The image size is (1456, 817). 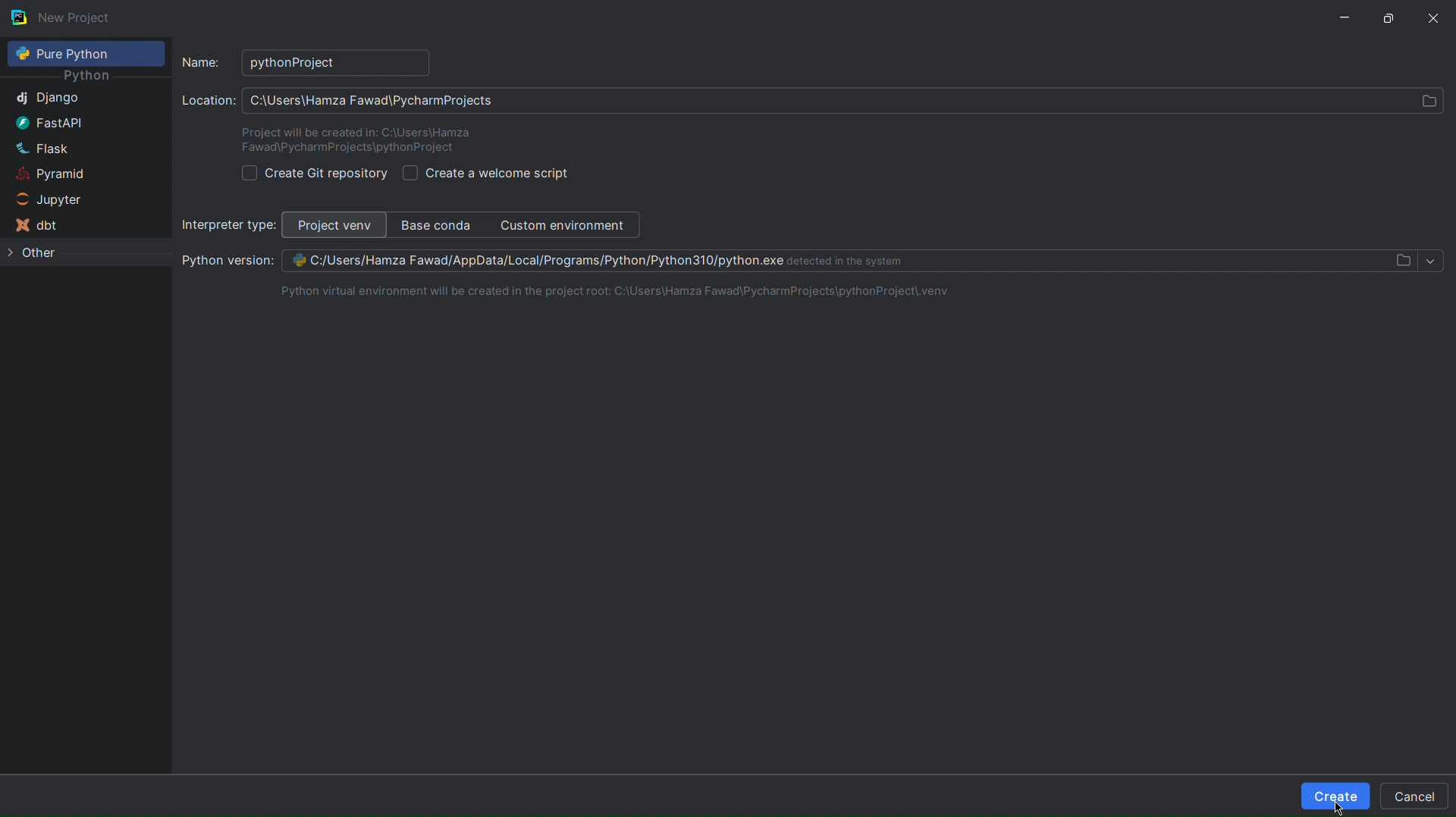 What do you see at coordinates (1335, 797) in the screenshot?
I see `Create` at bounding box center [1335, 797].